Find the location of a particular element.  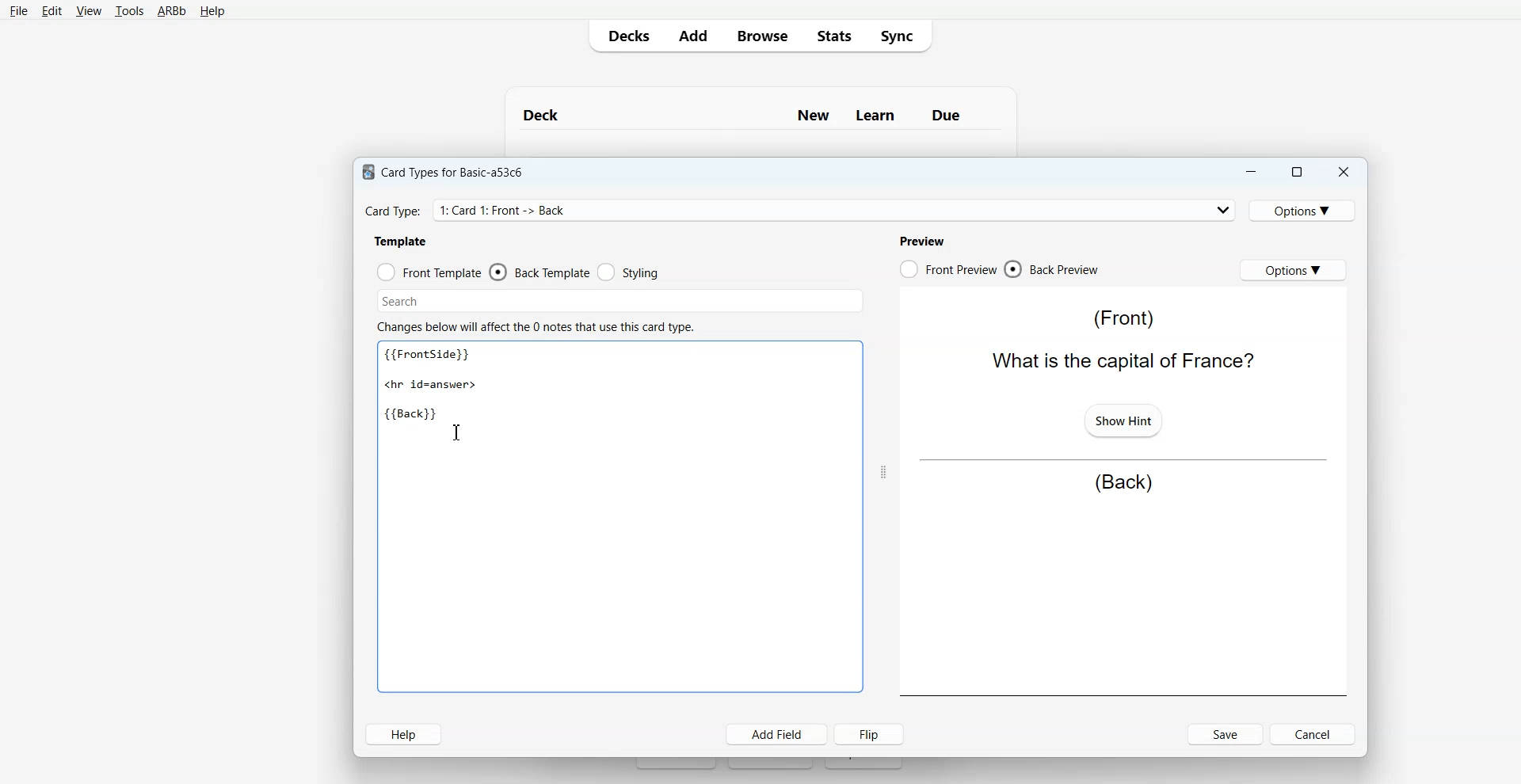

Styling is located at coordinates (630, 272).